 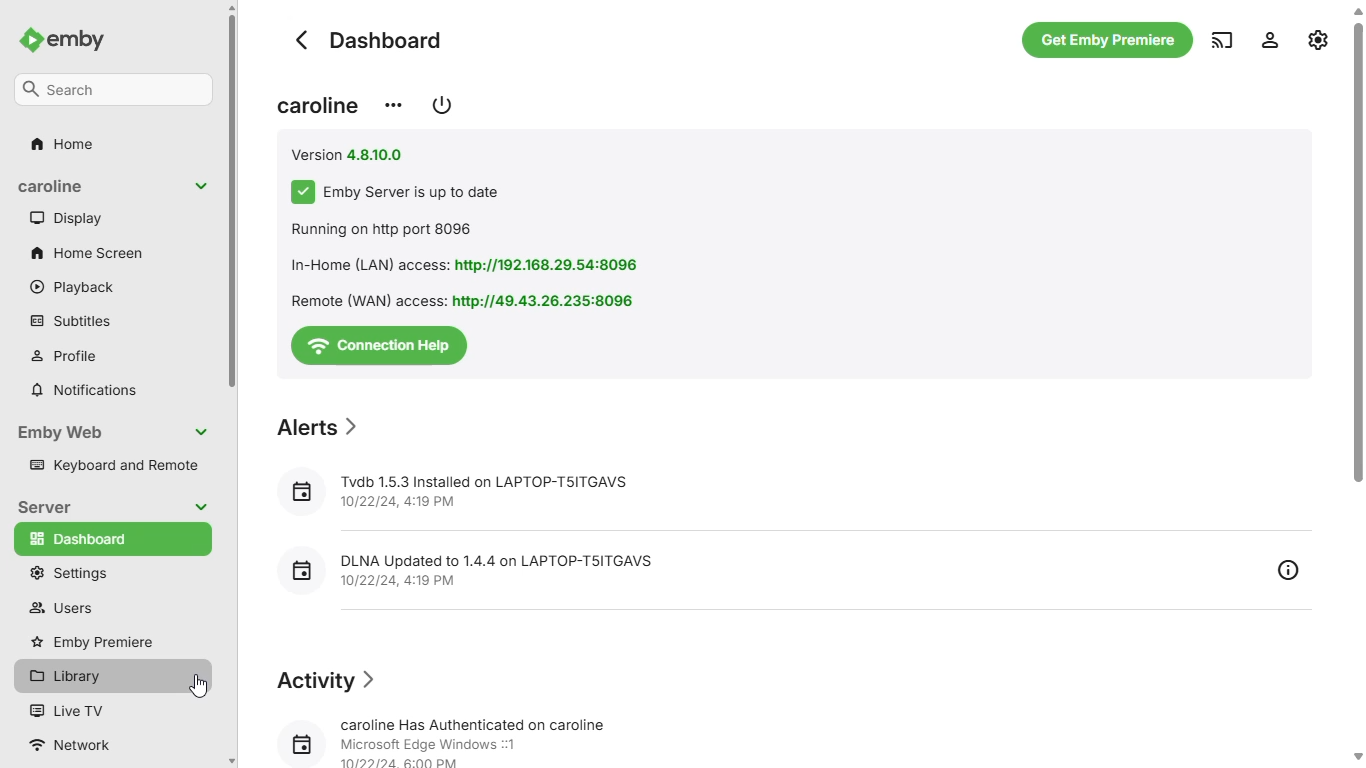 What do you see at coordinates (370, 39) in the screenshot?
I see `dashboard` at bounding box center [370, 39].